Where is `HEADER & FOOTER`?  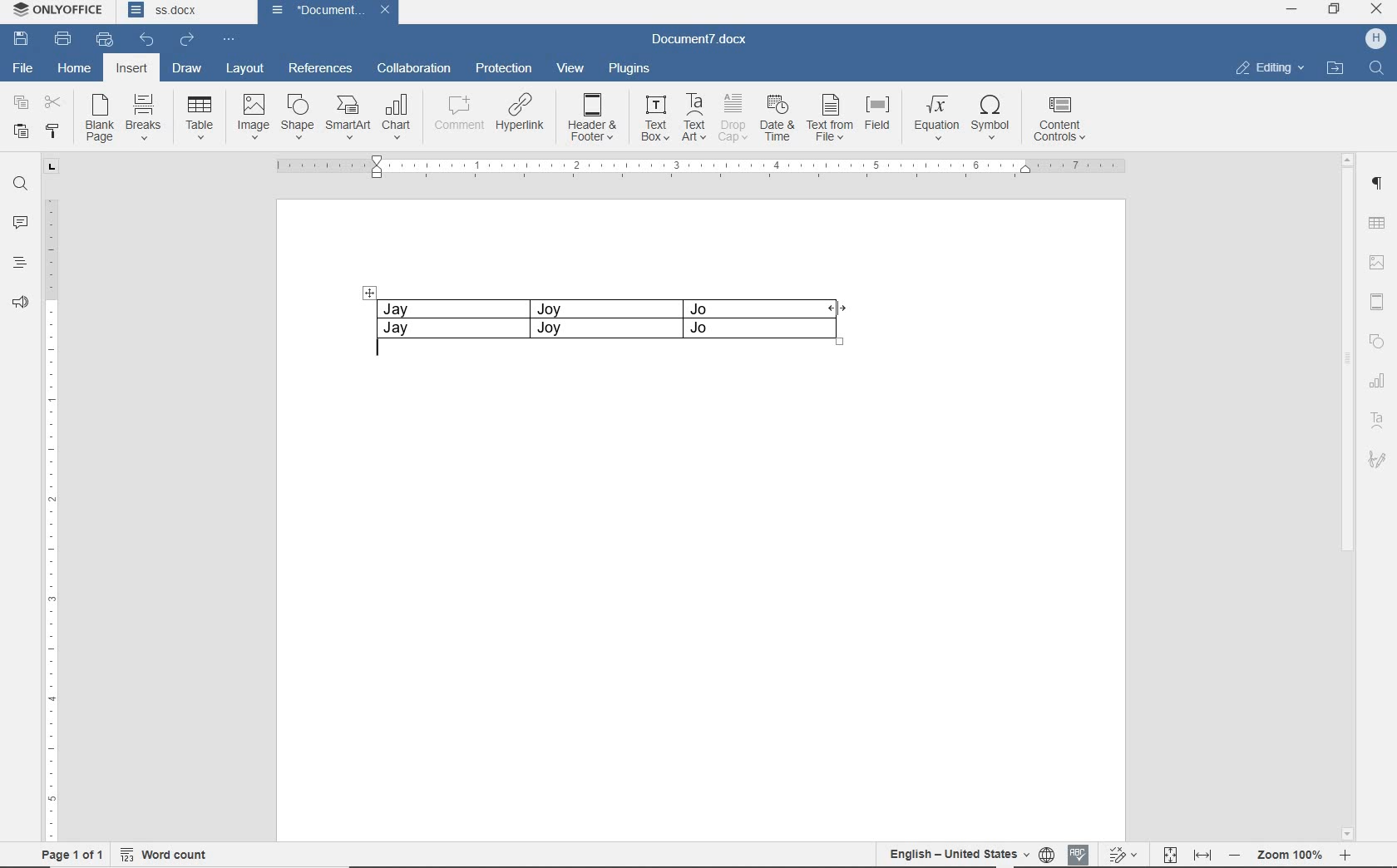 HEADER & FOOTER is located at coordinates (1377, 302).